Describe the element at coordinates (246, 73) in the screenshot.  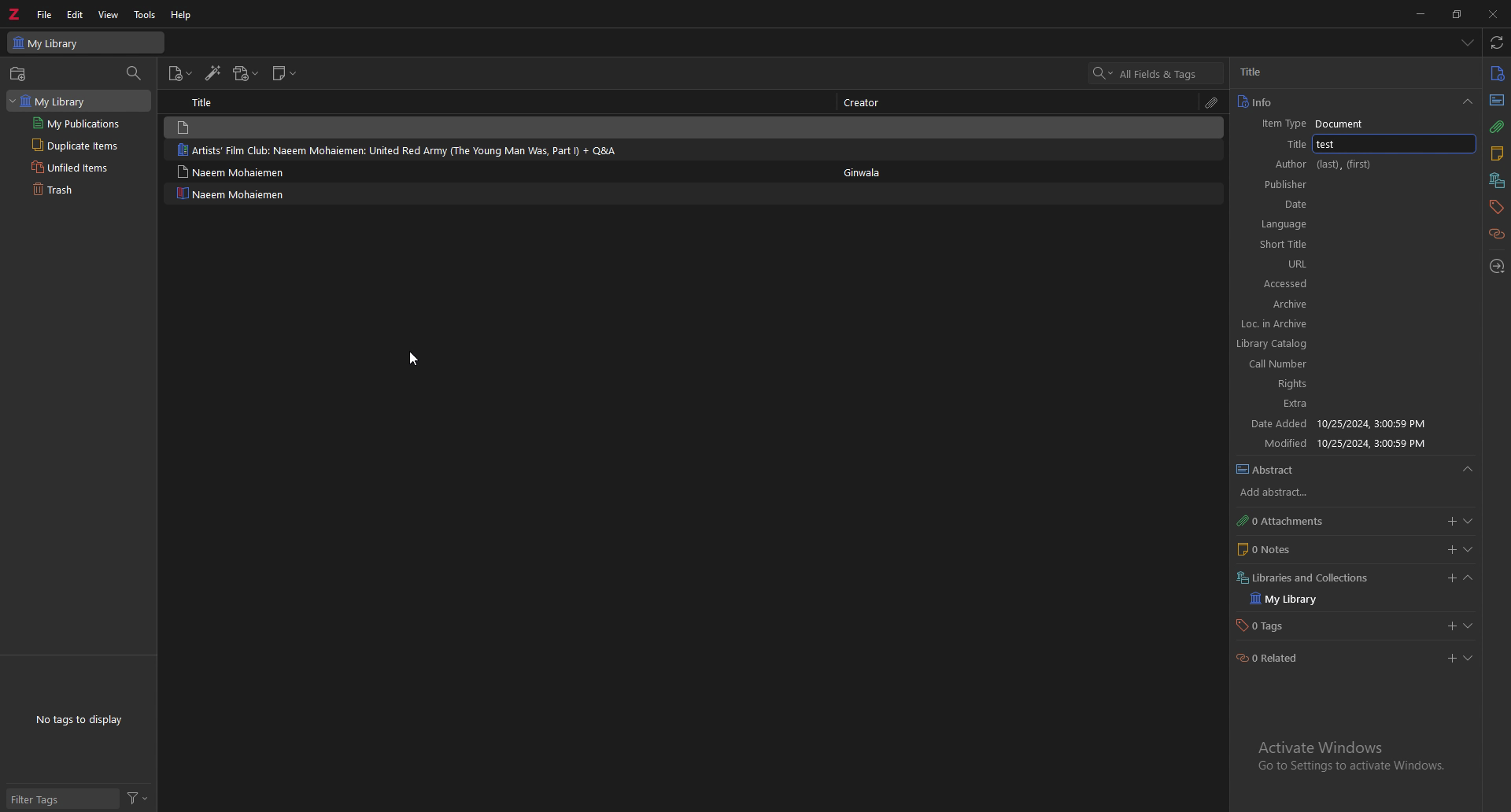
I see `add attachment` at that location.